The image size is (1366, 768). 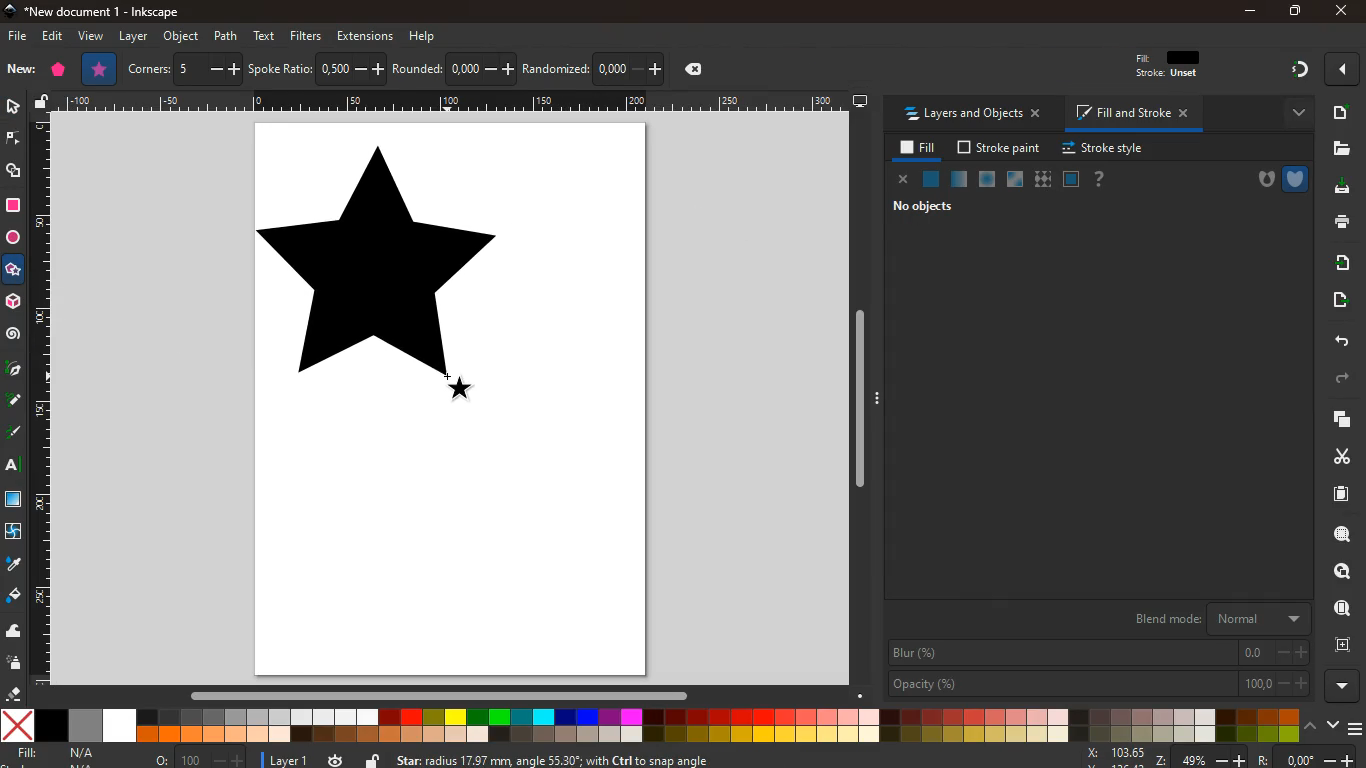 What do you see at coordinates (50, 404) in the screenshot?
I see `Draw scale` at bounding box center [50, 404].